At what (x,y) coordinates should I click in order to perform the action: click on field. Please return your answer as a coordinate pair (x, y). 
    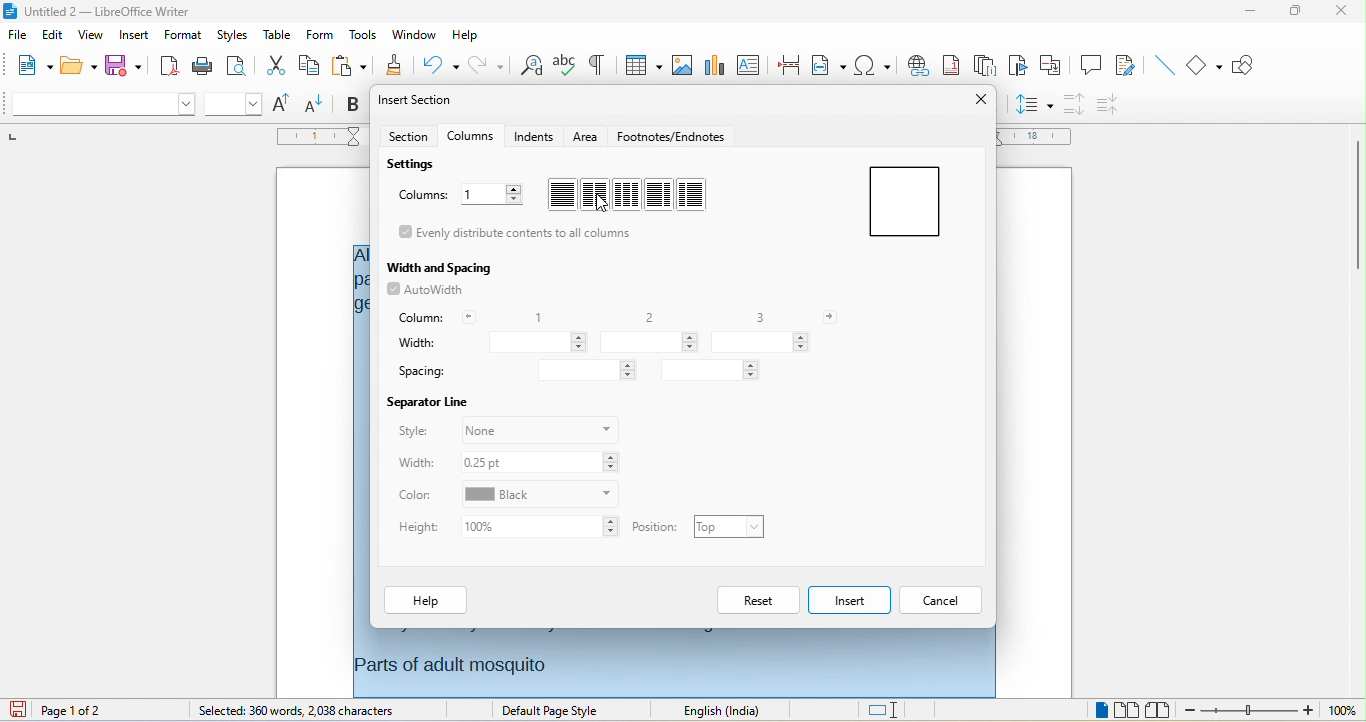
    Looking at the image, I should click on (829, 65).